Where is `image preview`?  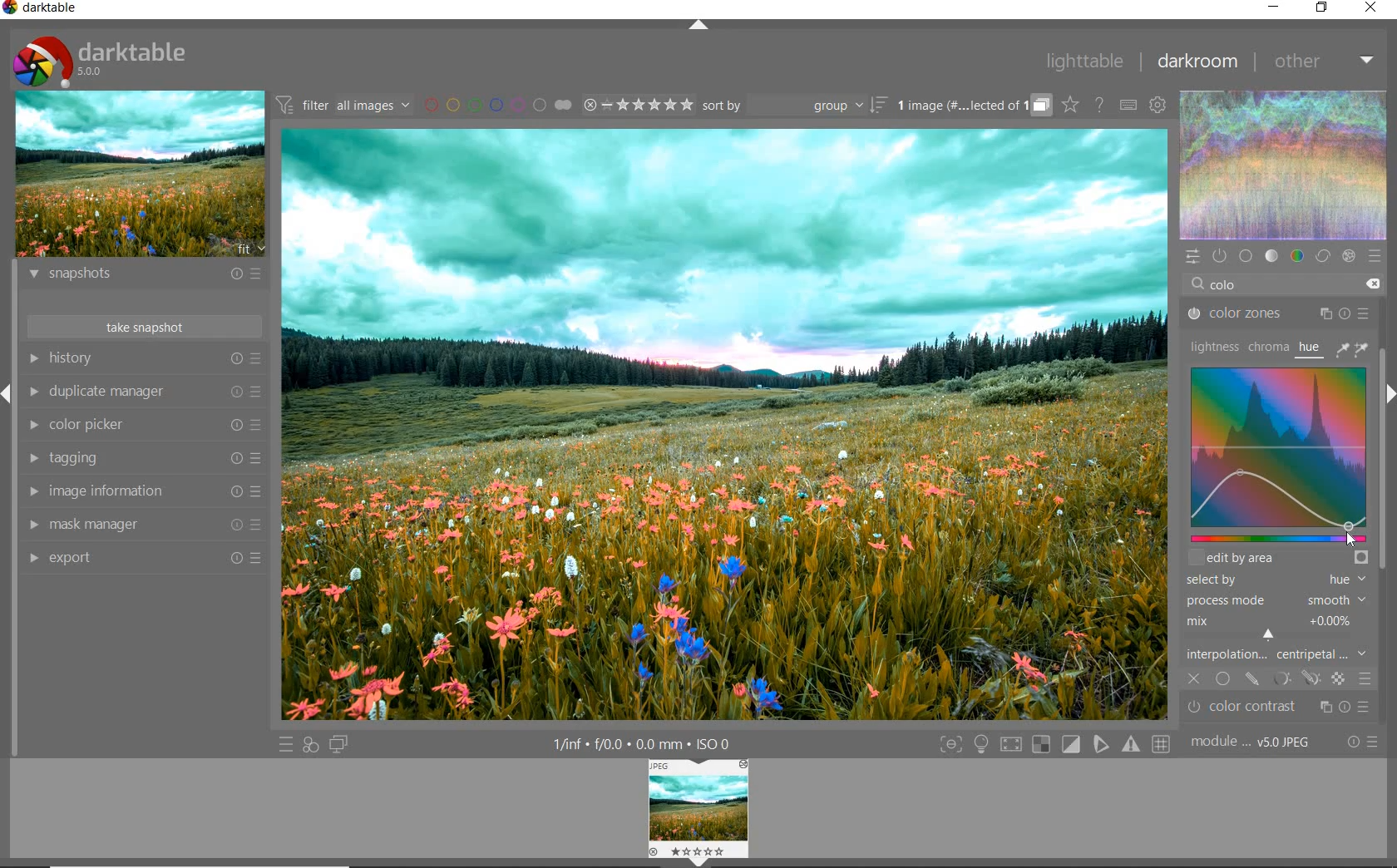 image preview is located at coordinates (140, 176).